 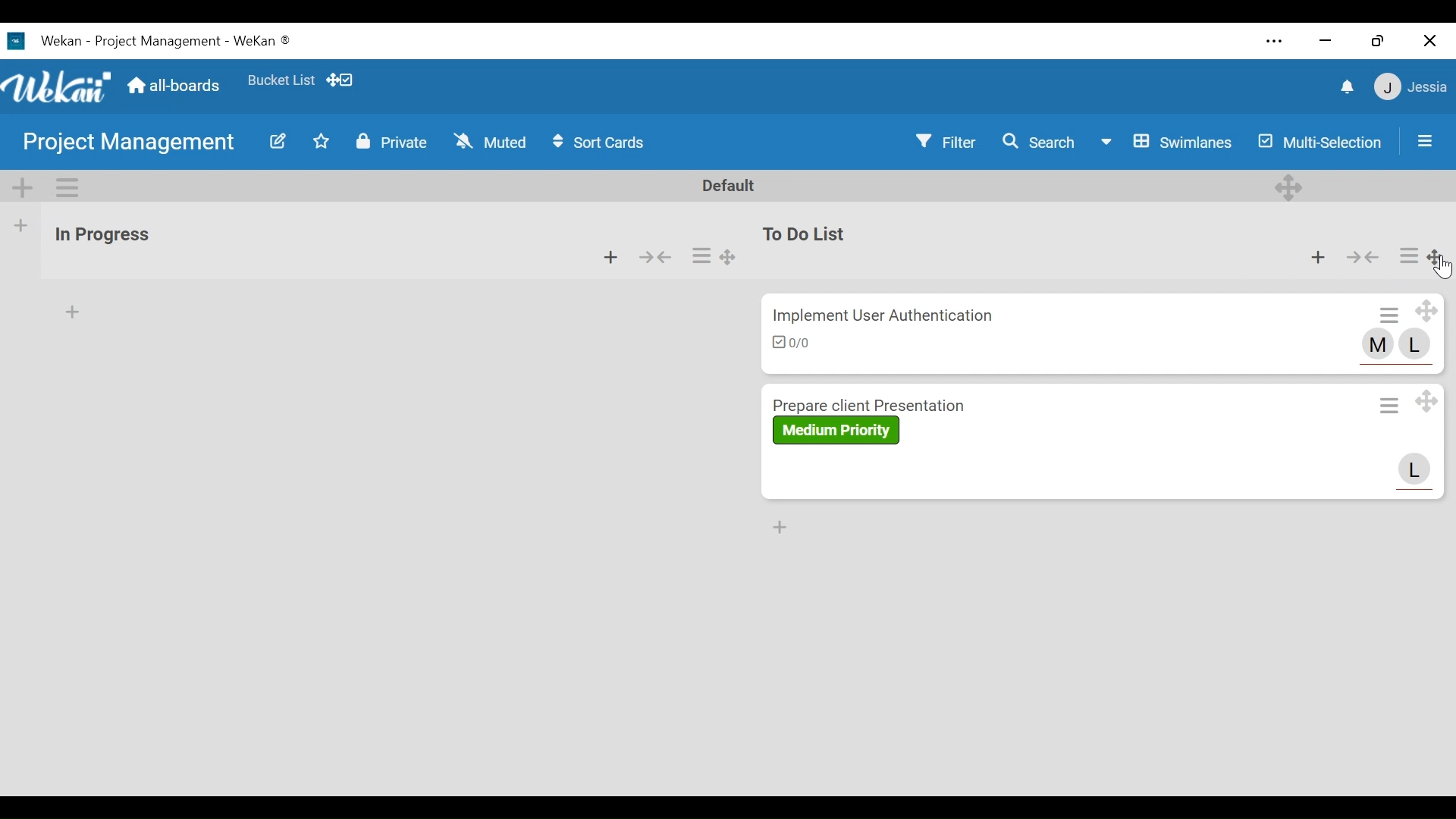 What do you see at coordinates (1318, 142) in the screenshot?
I see `Multi-Selection` at bounding box center [1318, 142].